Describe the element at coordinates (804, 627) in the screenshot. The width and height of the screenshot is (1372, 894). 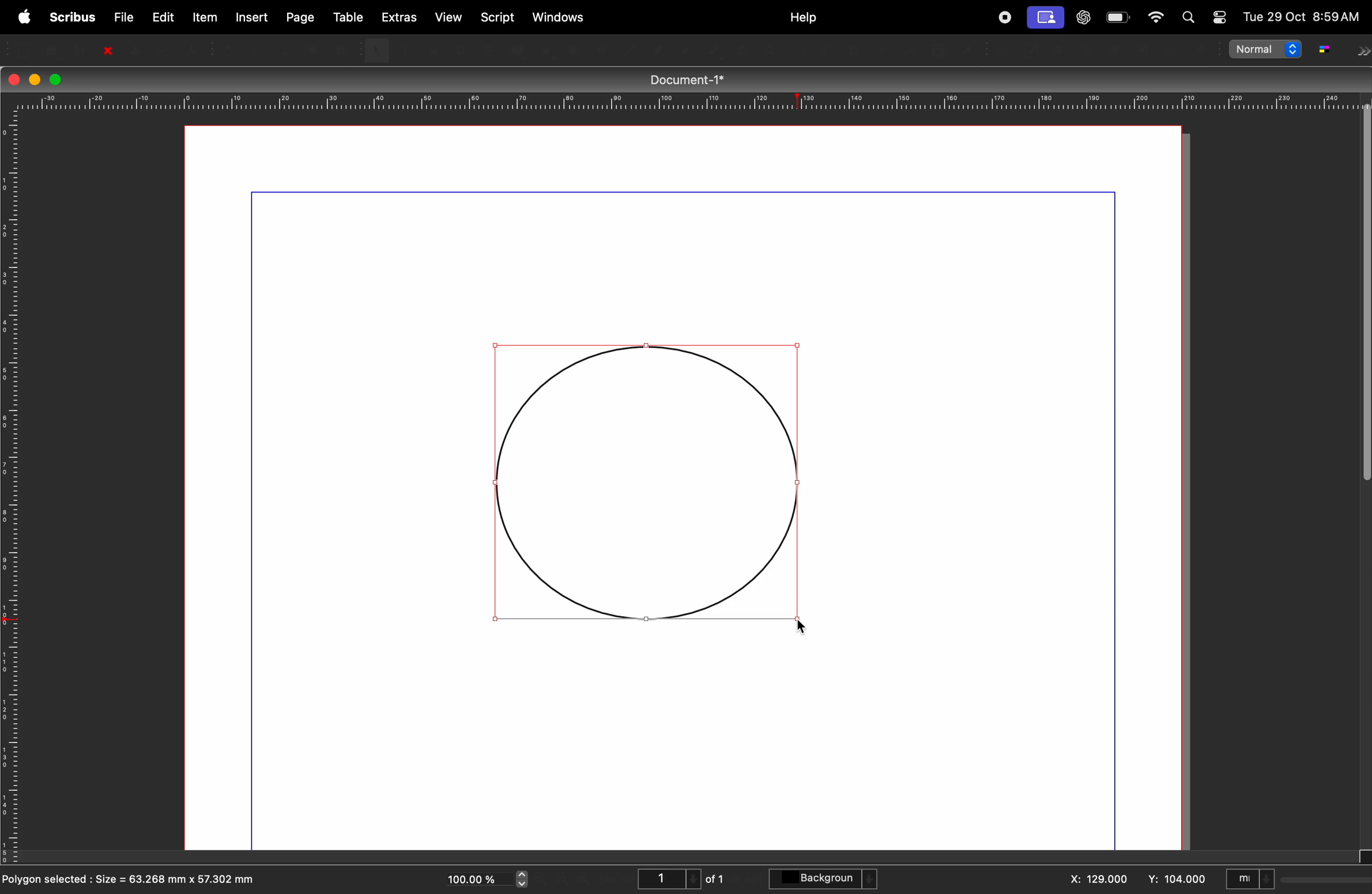
I see `cursor` at that location.